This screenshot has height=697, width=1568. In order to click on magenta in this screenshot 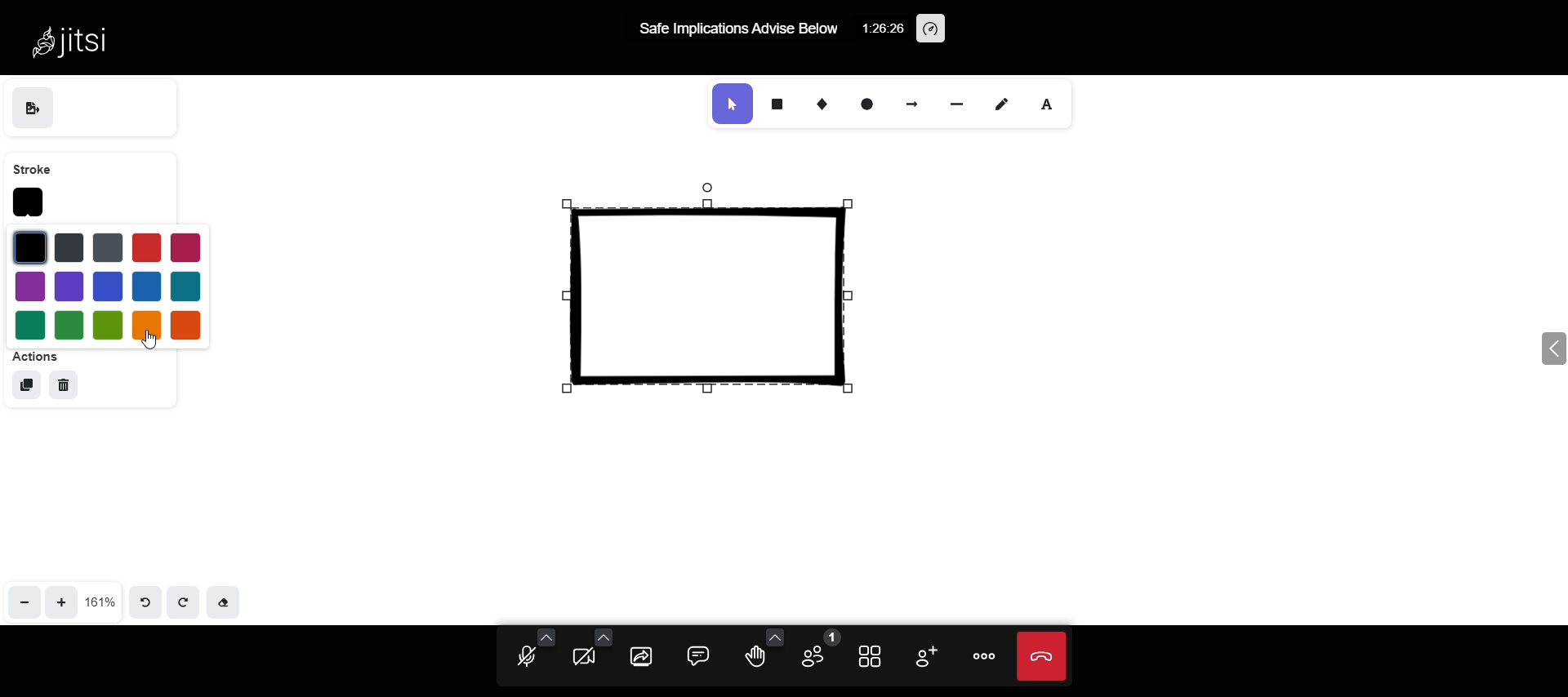, I will do `click(186, 248)`.